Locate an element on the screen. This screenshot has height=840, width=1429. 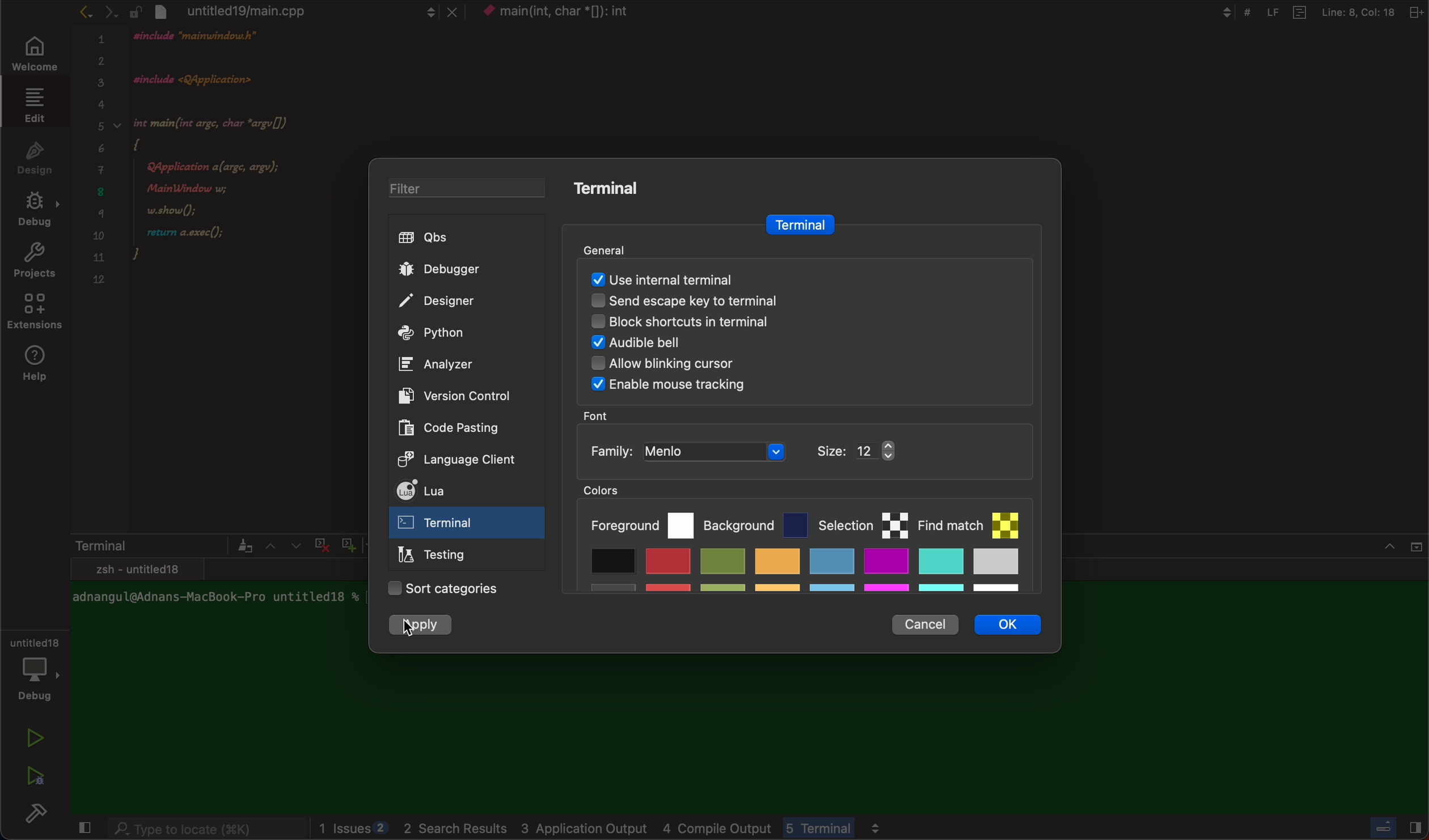
cancel is located at coordinates (924, 625).